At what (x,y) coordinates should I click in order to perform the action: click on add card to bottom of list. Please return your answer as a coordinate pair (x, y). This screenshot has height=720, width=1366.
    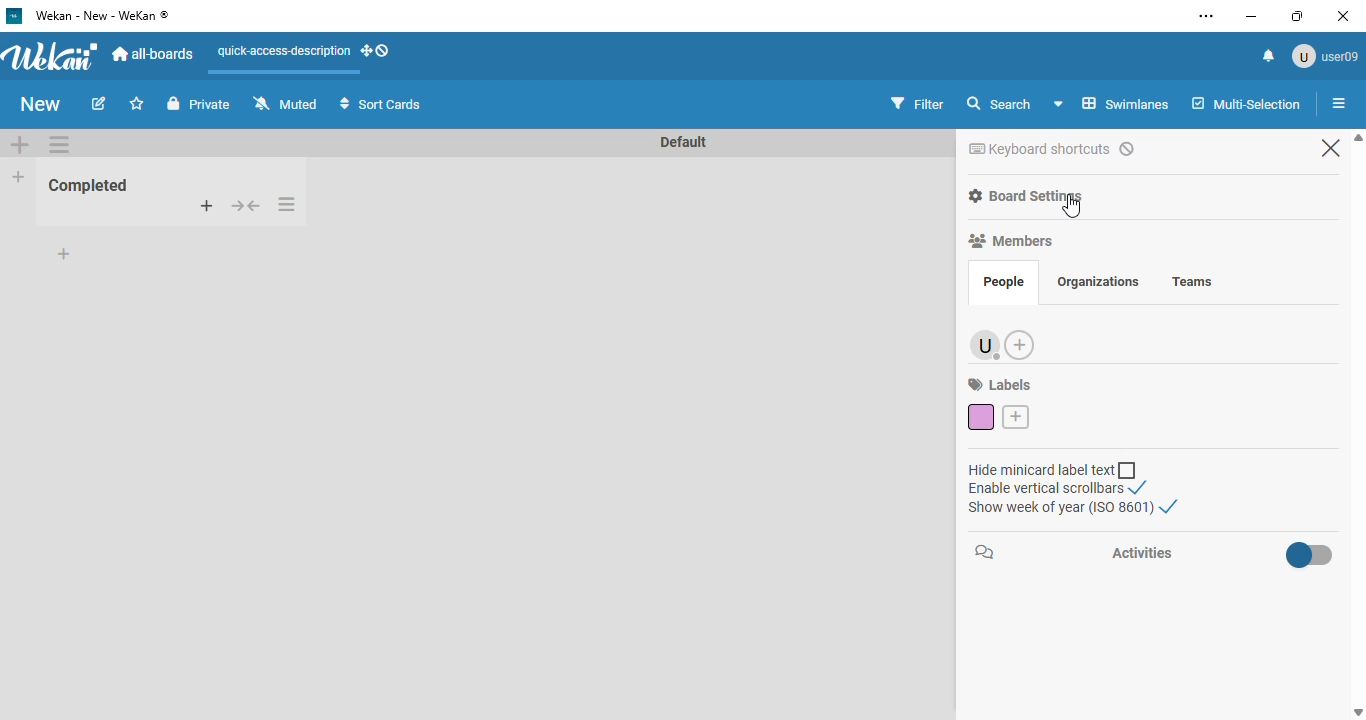
    Looking at the image, I should click on (65, 254).